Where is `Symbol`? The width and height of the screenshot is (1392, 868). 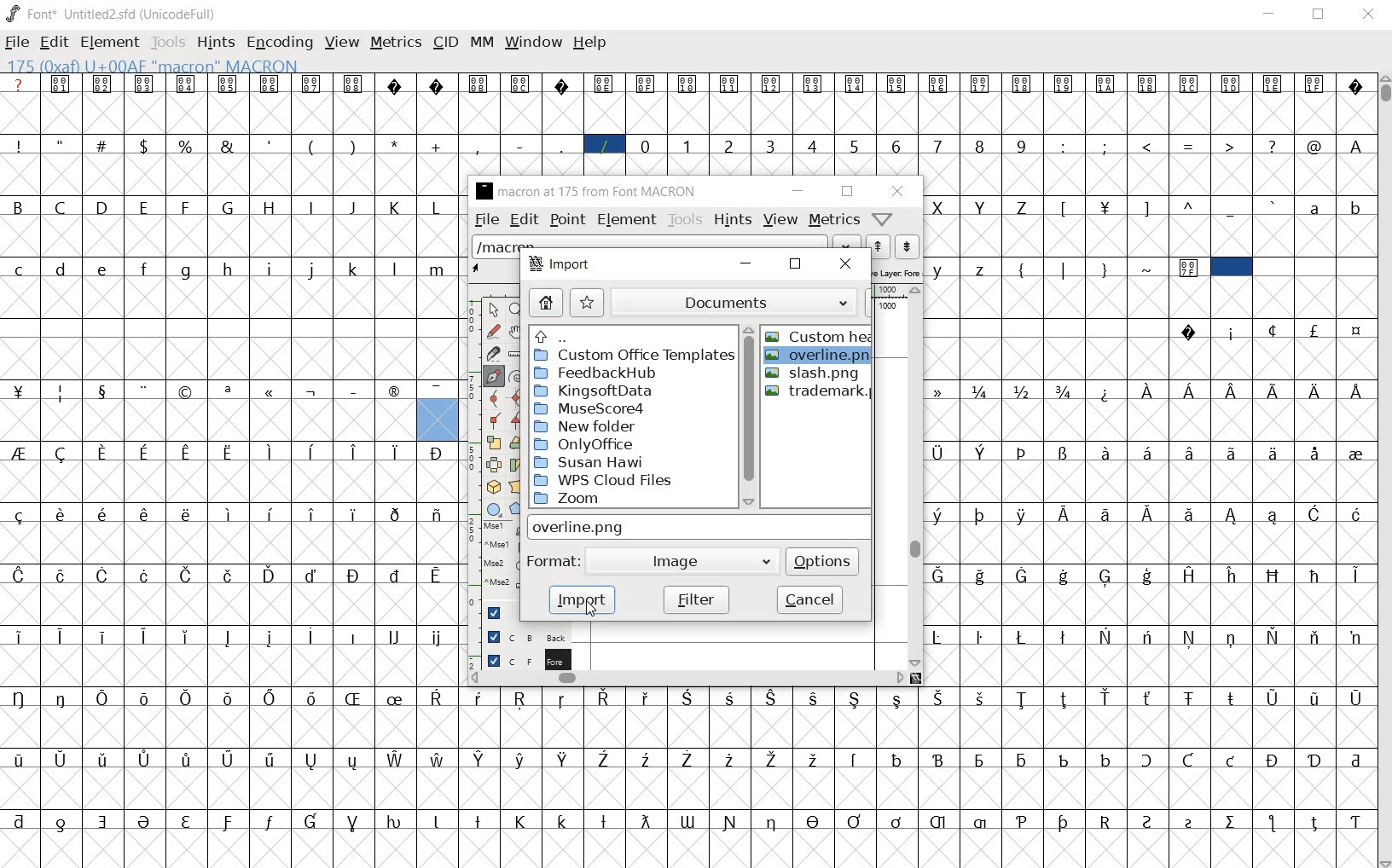
Symbol is located at coordinates (1066, 822).